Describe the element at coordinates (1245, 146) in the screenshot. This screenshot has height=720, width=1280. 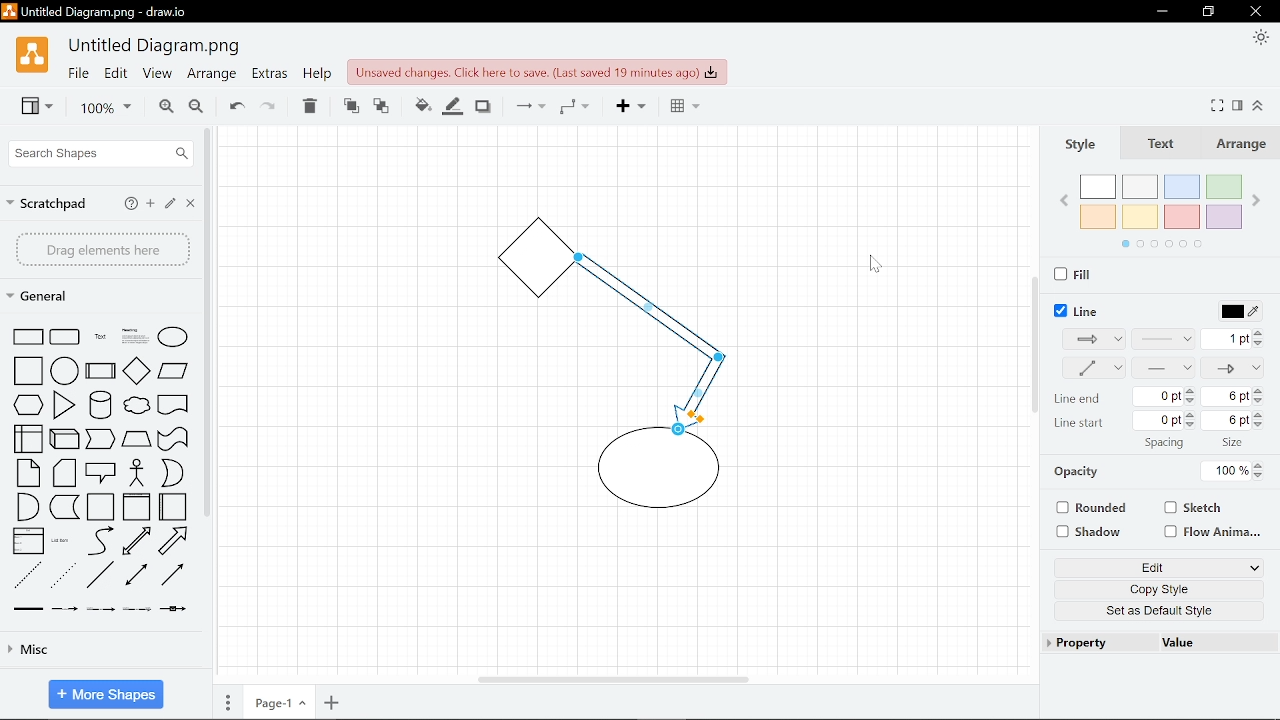
I see `Arrange` at that location.